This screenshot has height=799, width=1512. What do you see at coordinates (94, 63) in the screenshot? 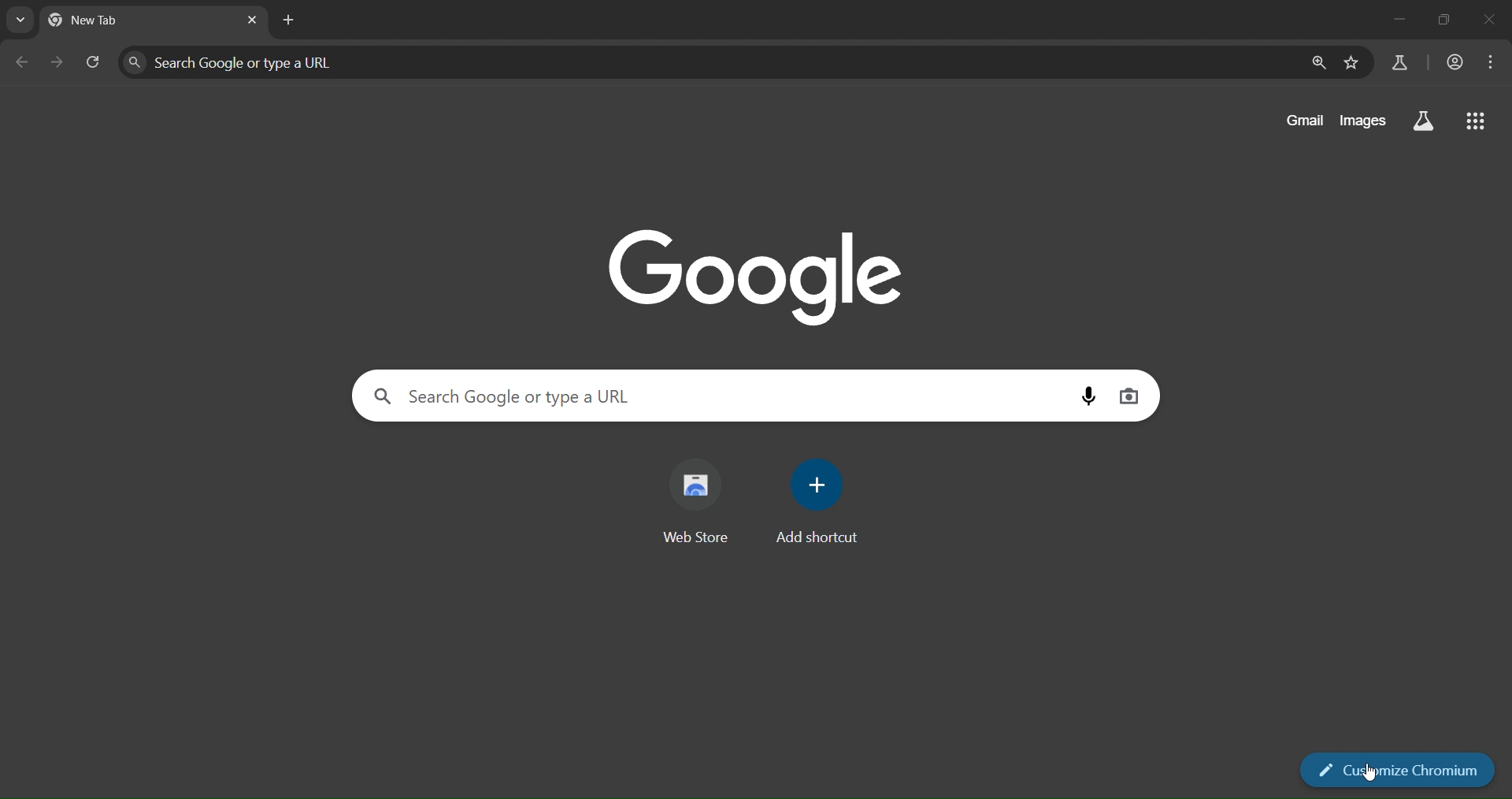
I see `reload page` at bounding box center [94, 63].